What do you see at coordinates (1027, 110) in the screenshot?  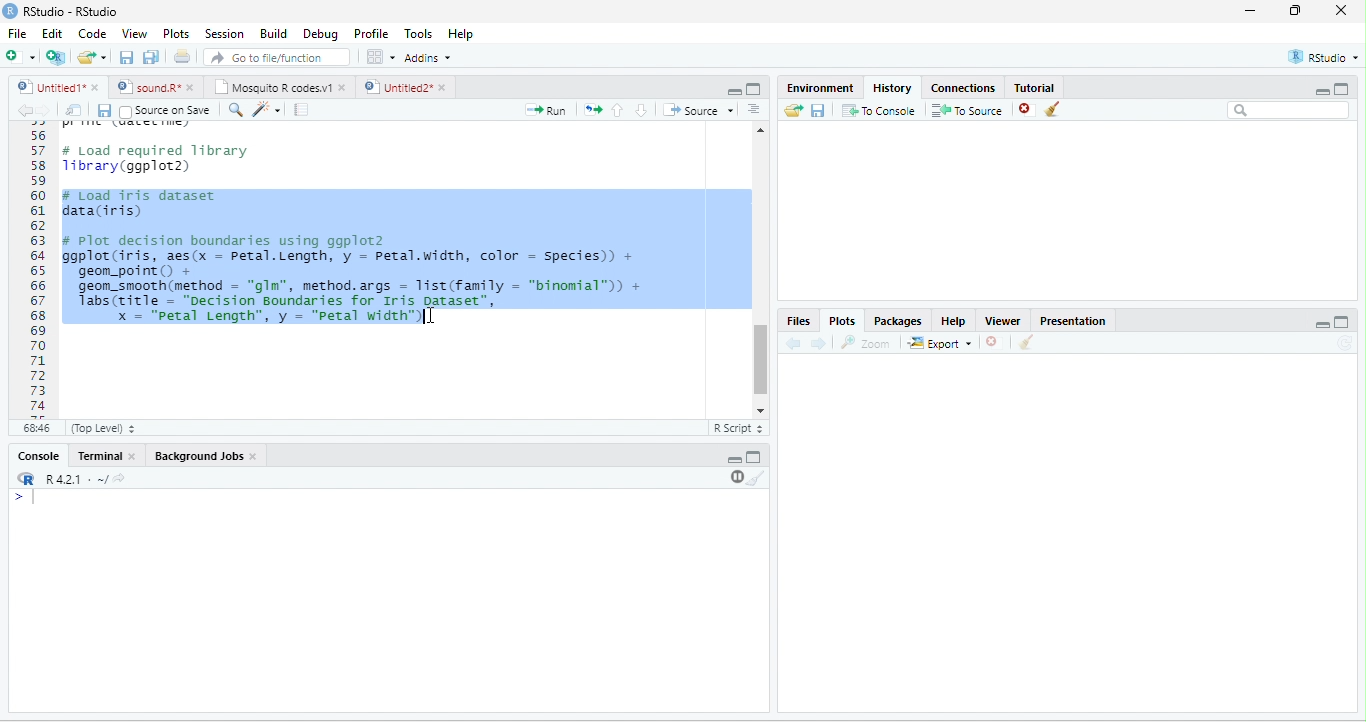 I see `close file` at bounding box center [1027, 110].